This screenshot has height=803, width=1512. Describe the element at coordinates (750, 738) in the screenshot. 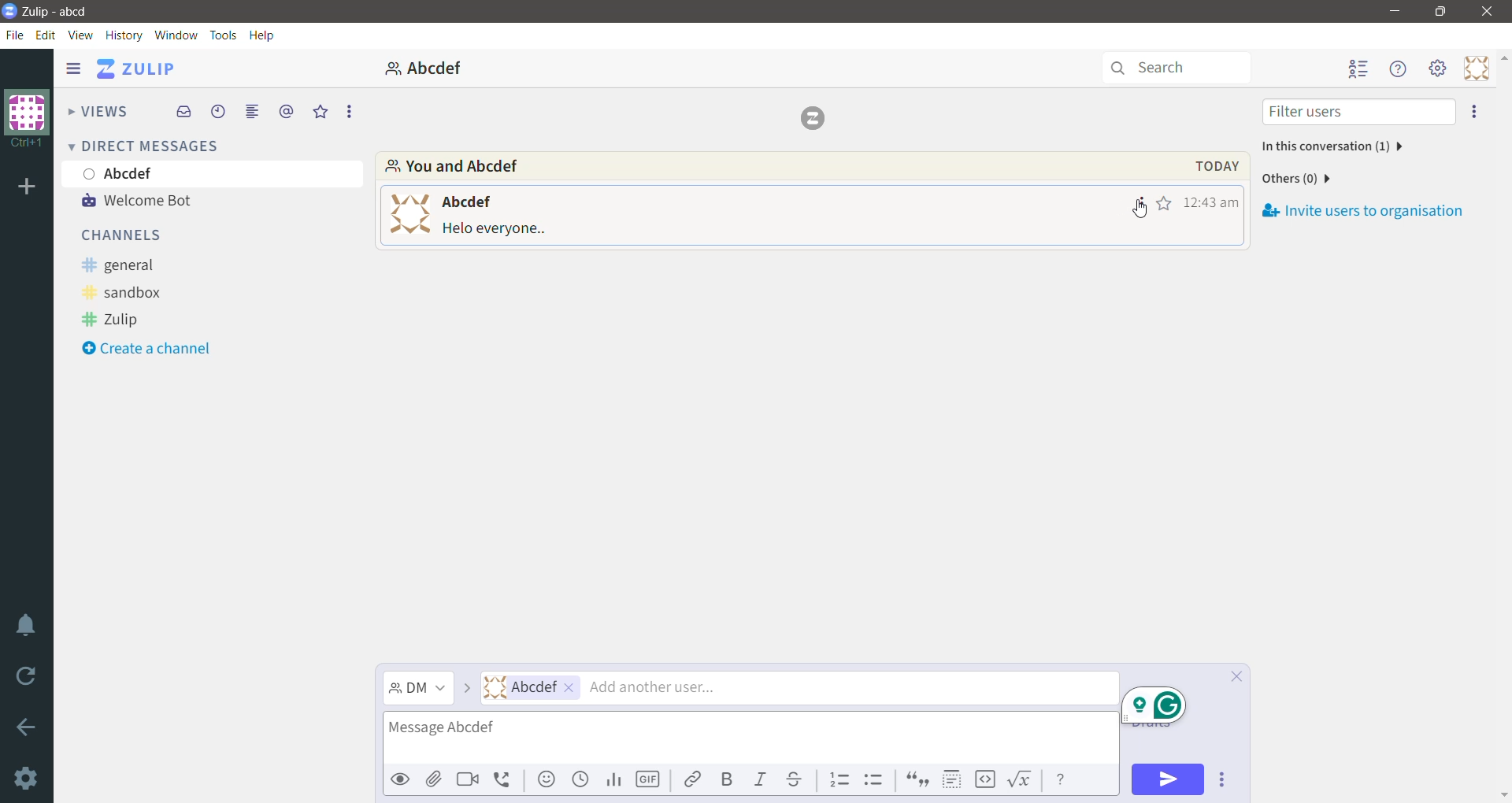

I see `Type the message for the selected recipients` at that location.